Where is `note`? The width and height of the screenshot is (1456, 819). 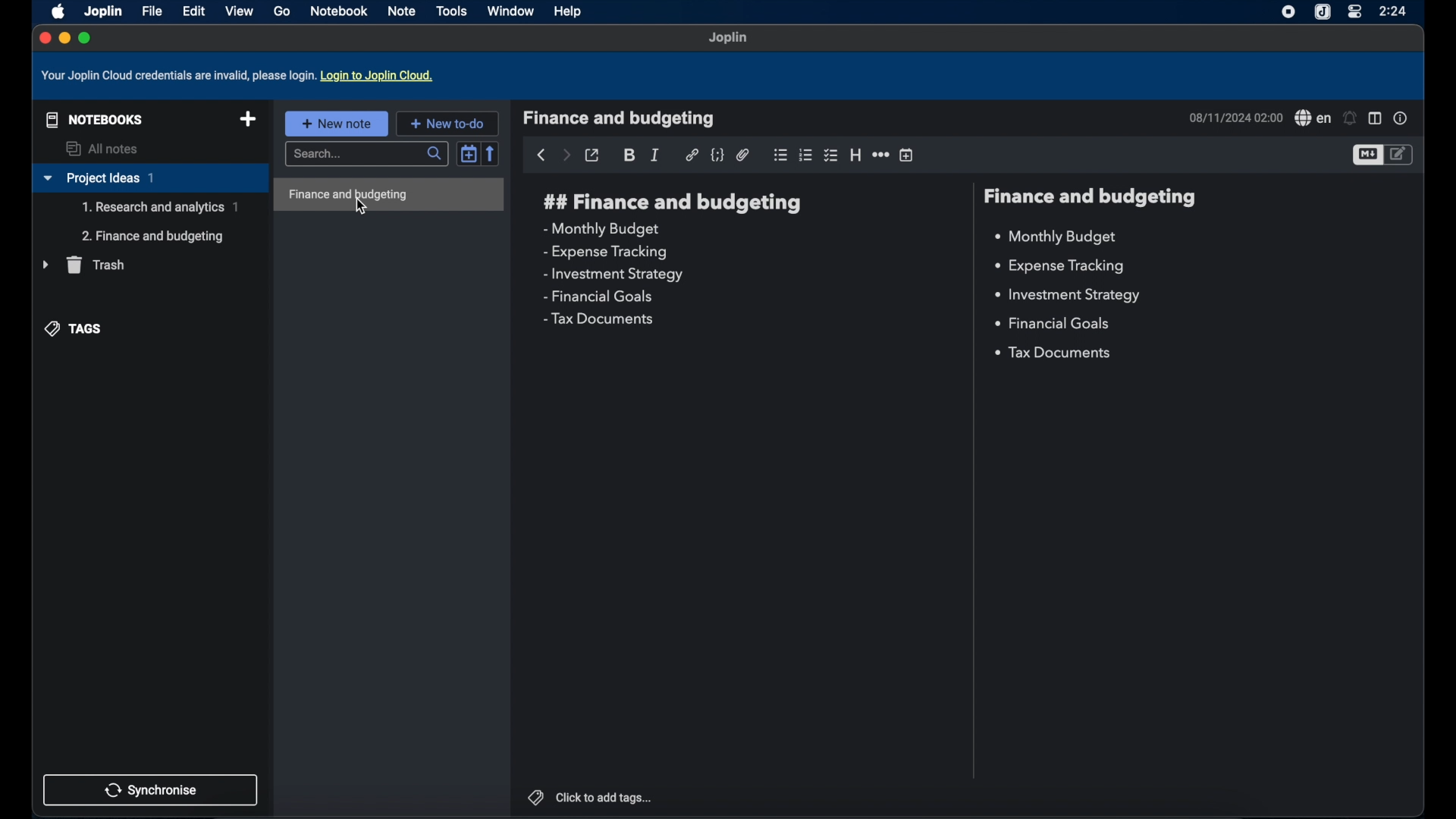
note is located at coordinates (403, 11).